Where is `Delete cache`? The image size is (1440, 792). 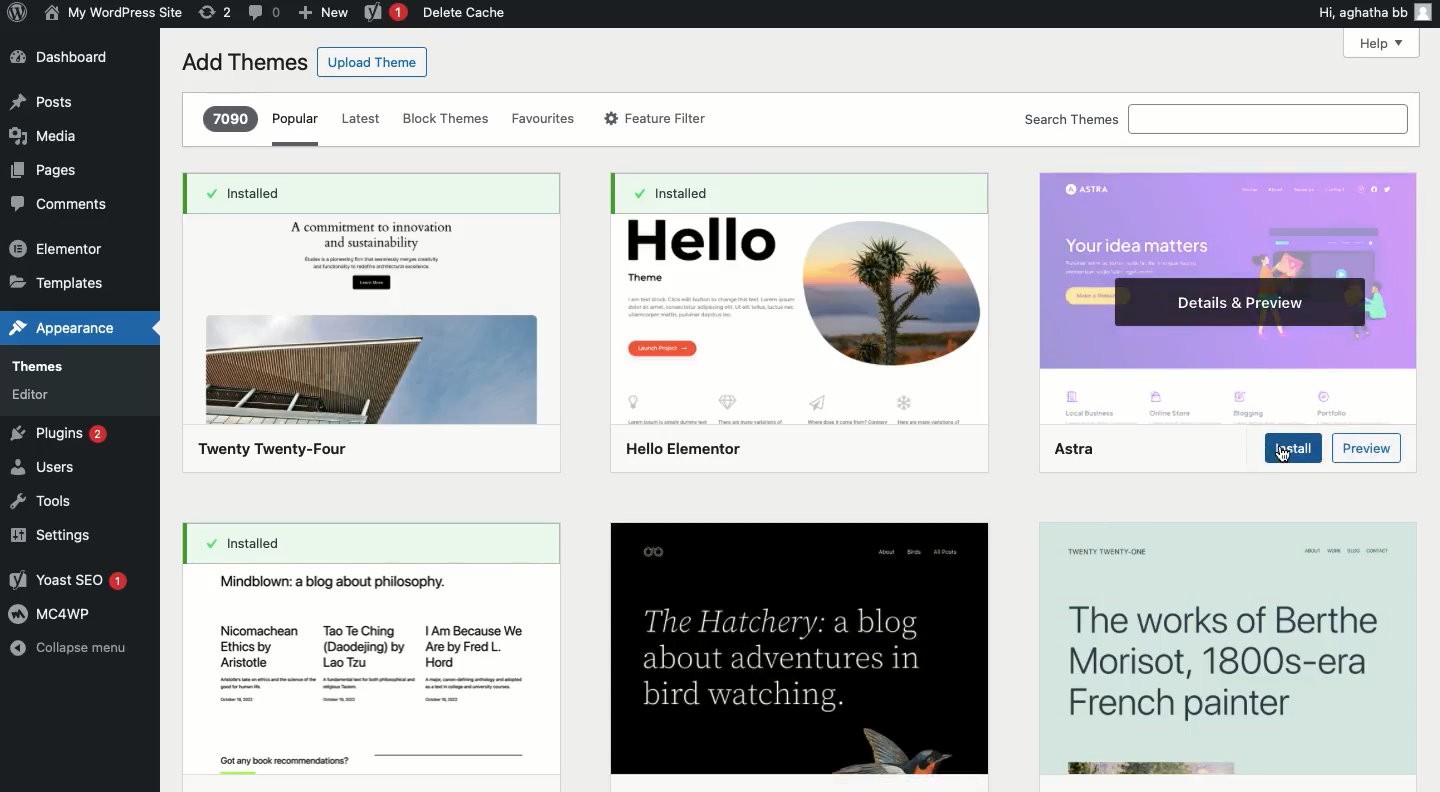
Delete cache is located at coordinates (470, 12).